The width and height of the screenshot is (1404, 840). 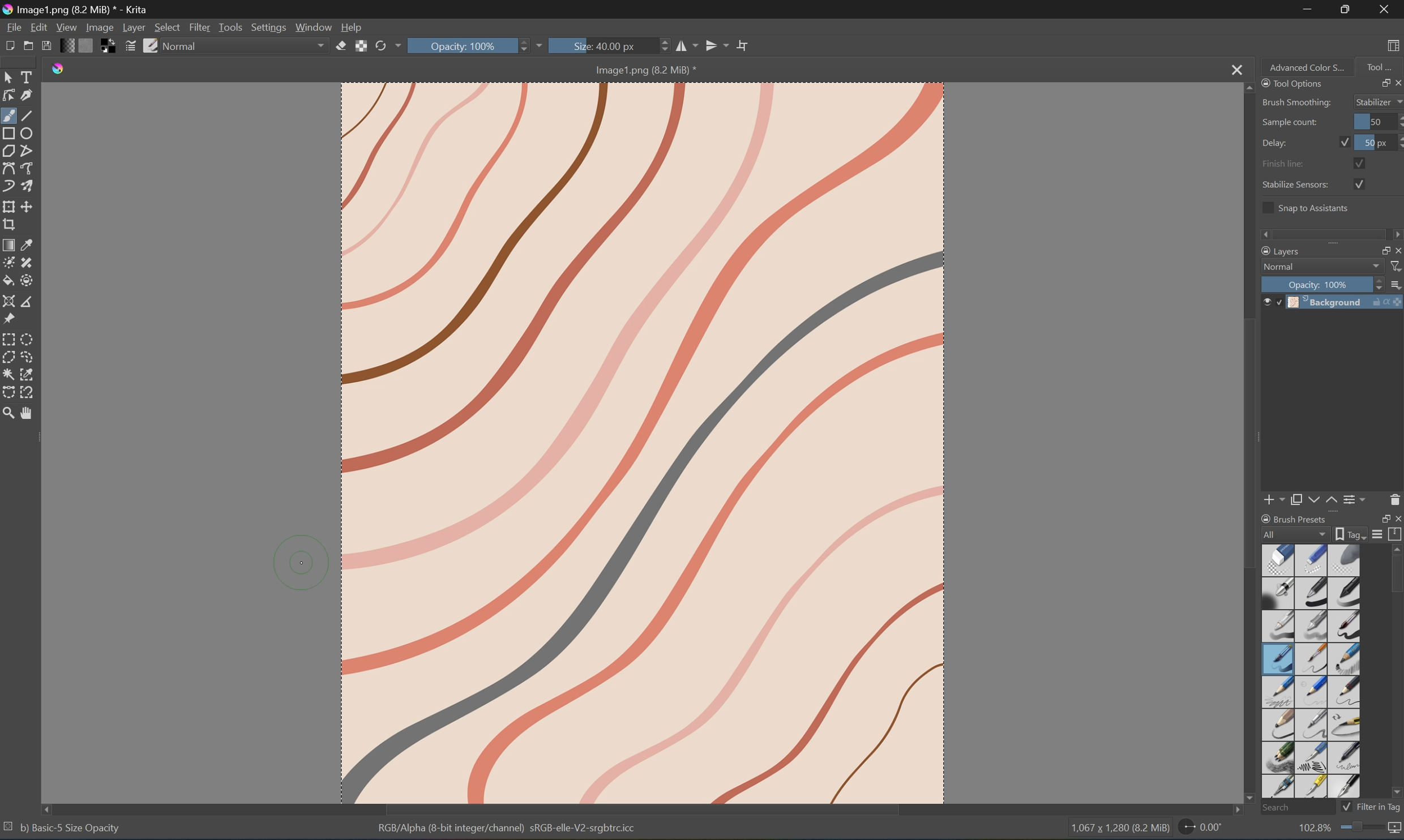 I want to click on Ellipse tool, so click(x=29, y=131).